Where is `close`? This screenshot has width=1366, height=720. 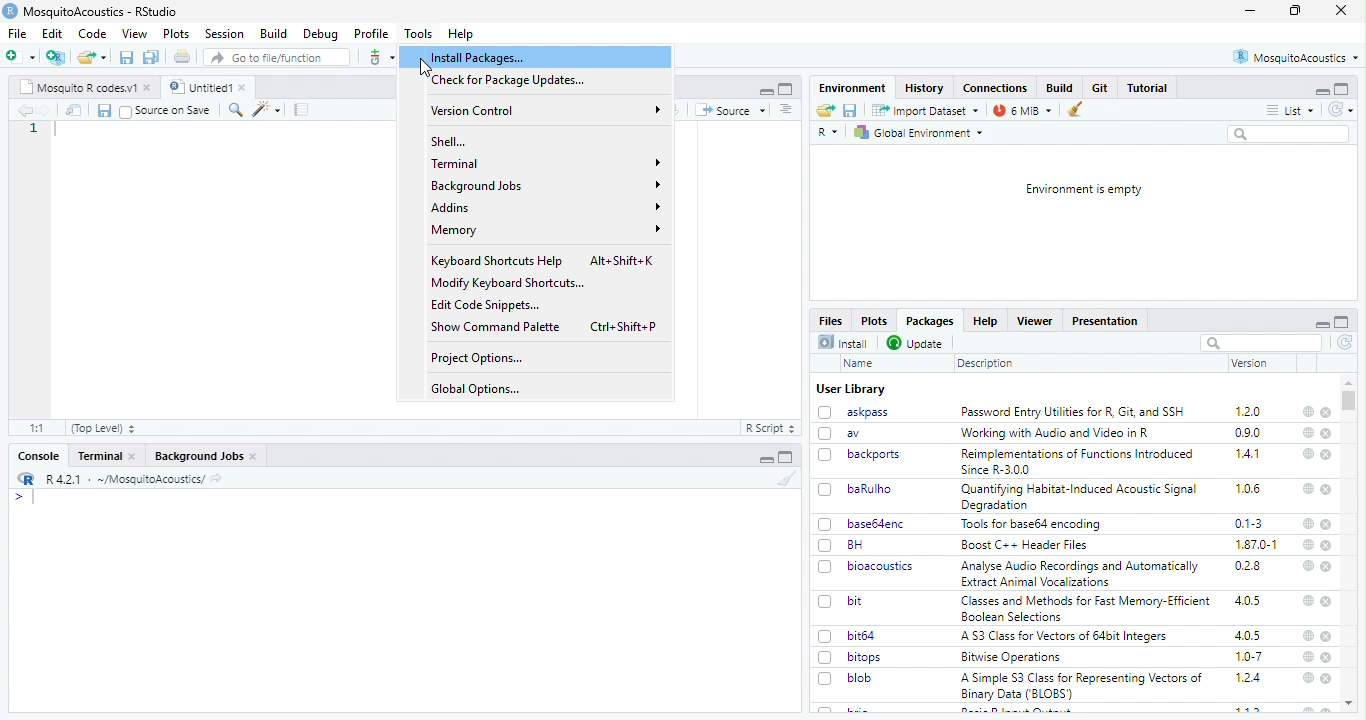 close is located at coordinates (133, 456).